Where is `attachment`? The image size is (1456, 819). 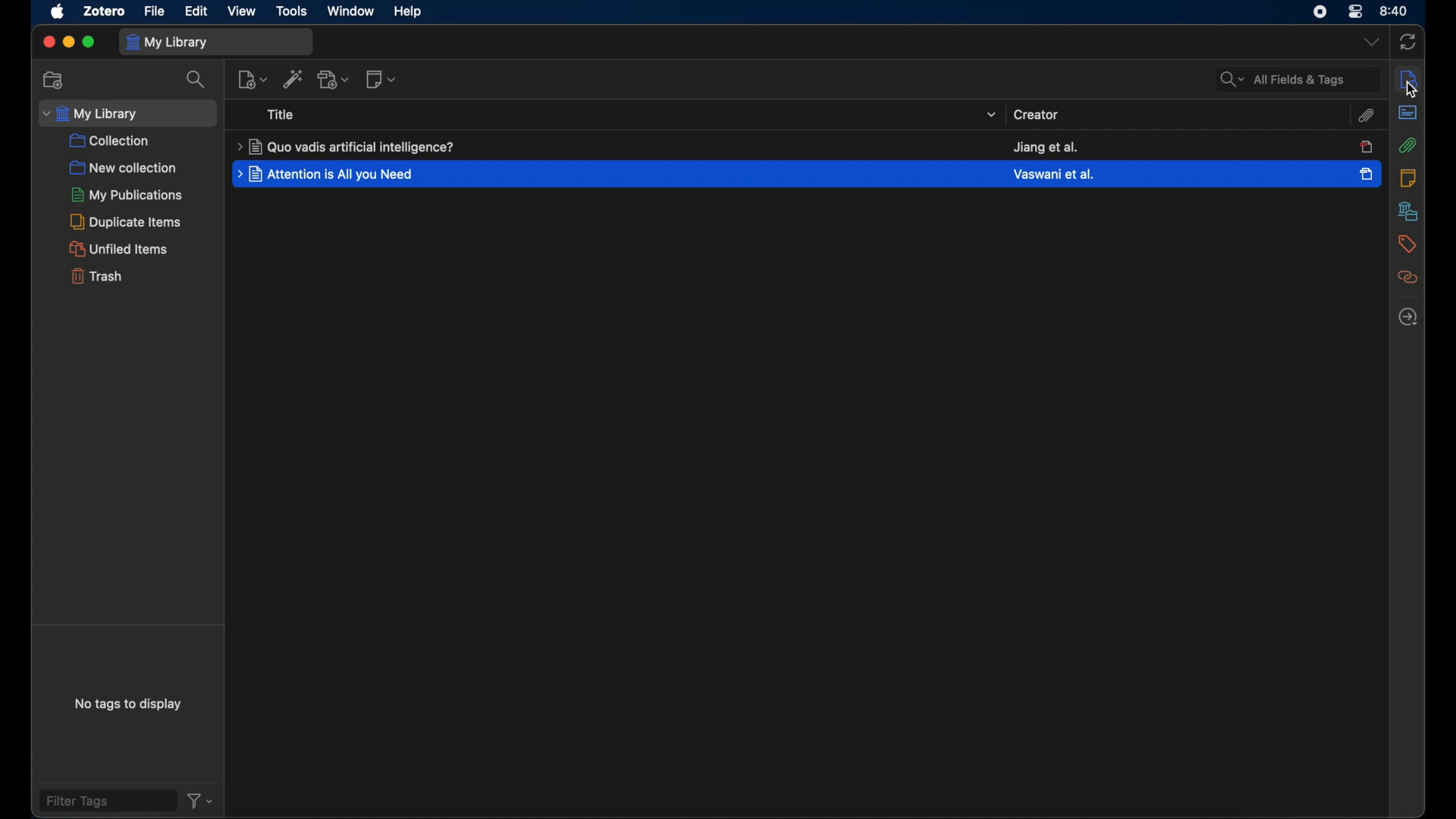
attachment is located at coordinates (1408, 144).